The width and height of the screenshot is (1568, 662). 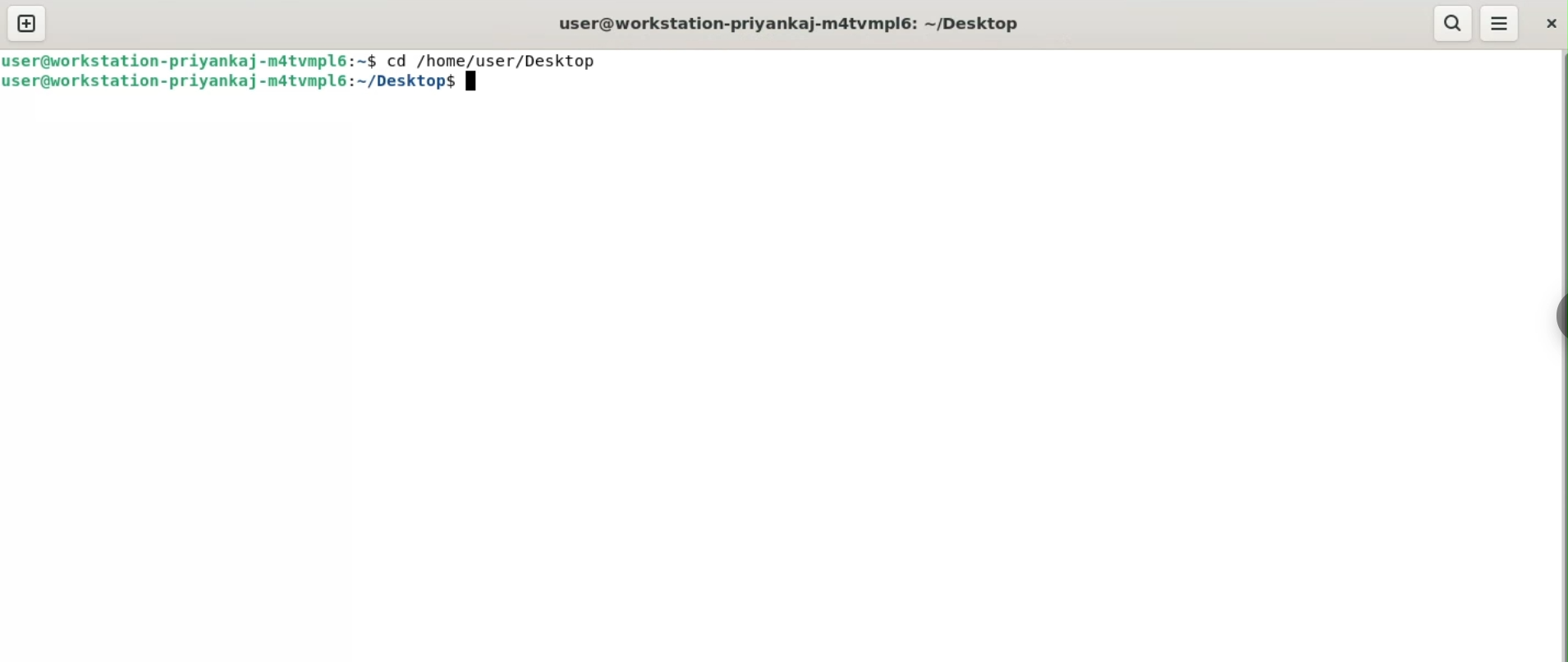 I want to click on cursor, so click(x=465, y=85).